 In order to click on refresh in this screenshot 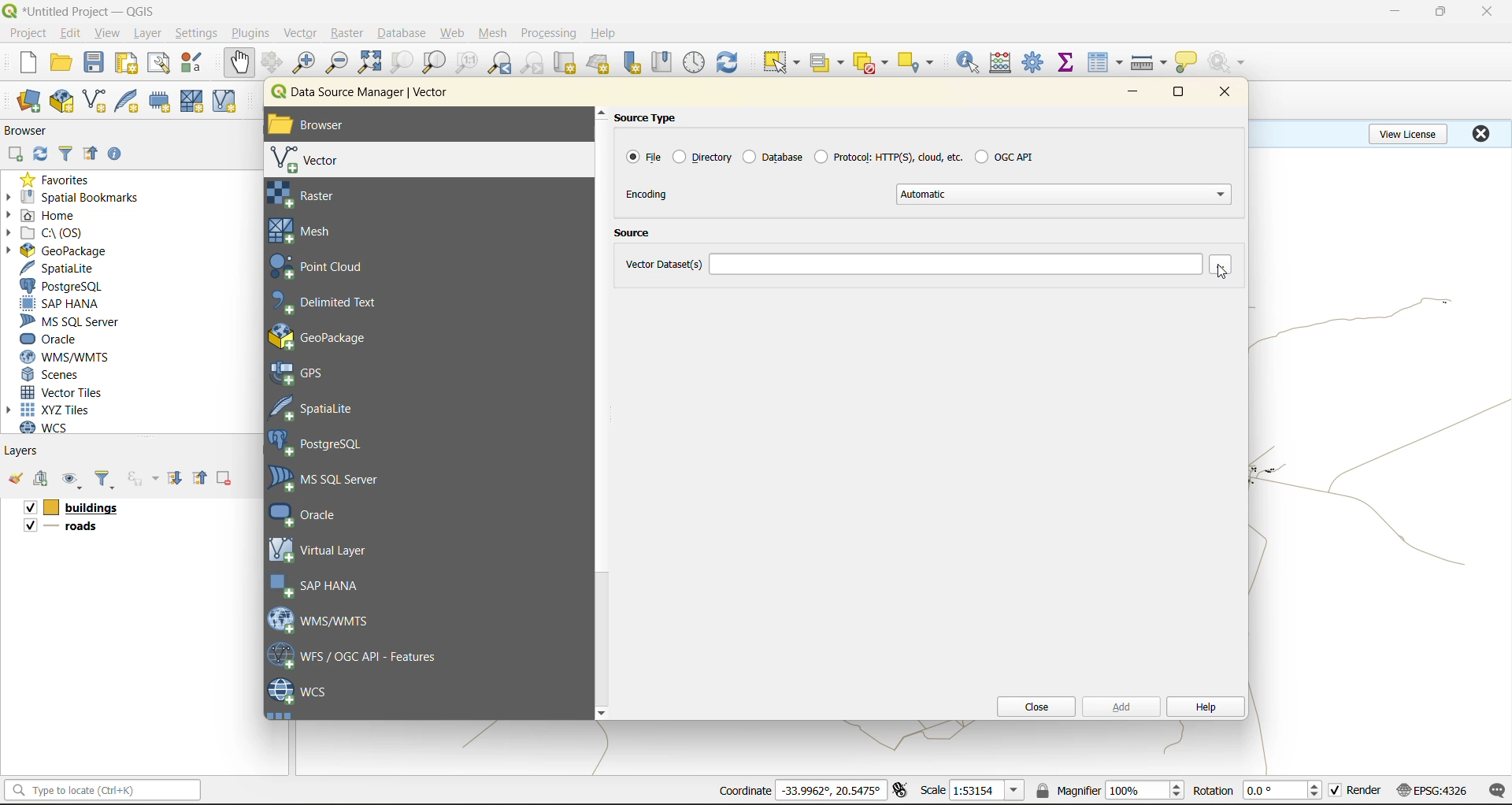, I will do `click(728, 65)`.